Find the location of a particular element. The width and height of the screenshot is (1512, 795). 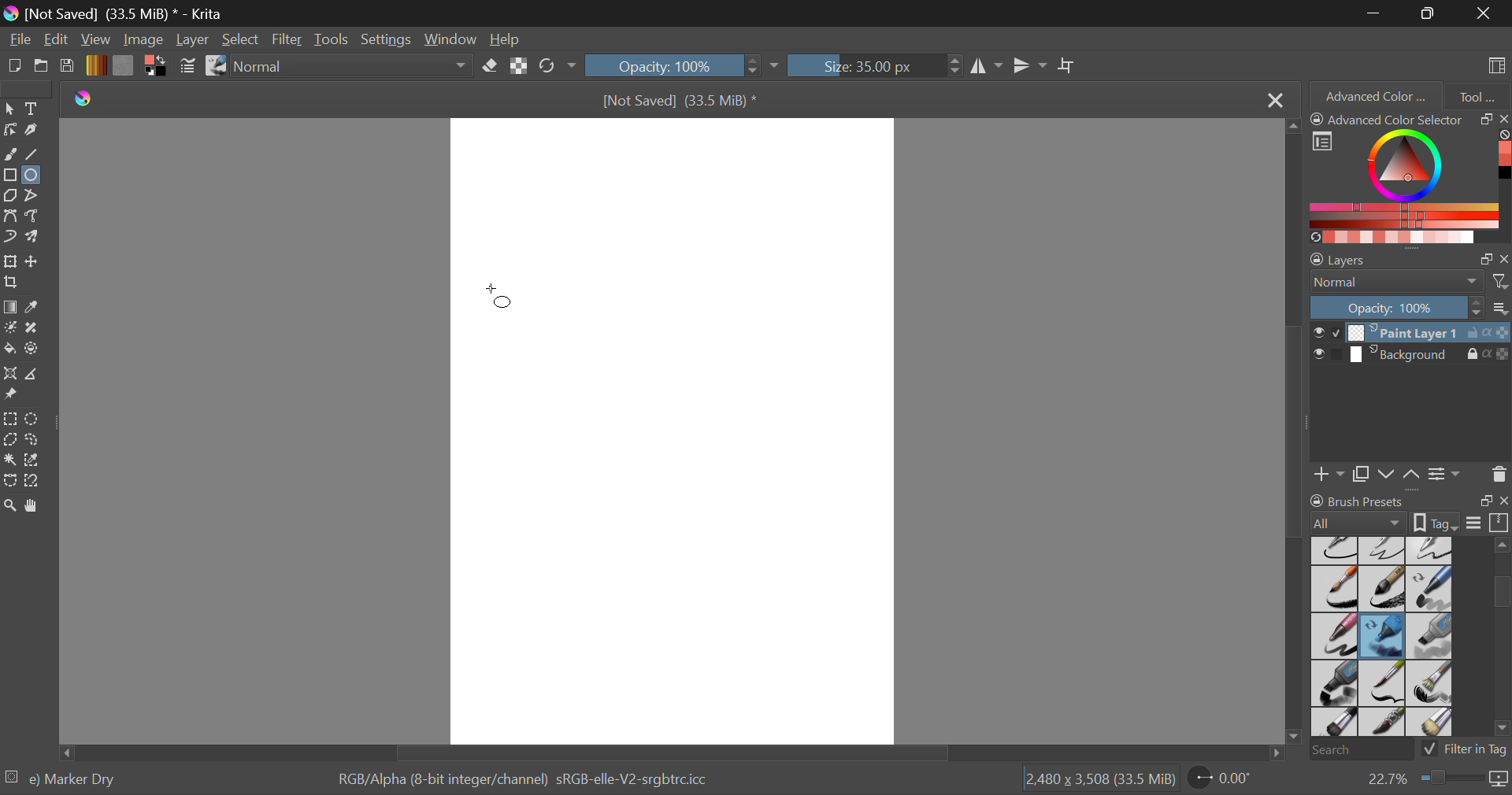

Polyline Tool is located at coordinates (34, 195).